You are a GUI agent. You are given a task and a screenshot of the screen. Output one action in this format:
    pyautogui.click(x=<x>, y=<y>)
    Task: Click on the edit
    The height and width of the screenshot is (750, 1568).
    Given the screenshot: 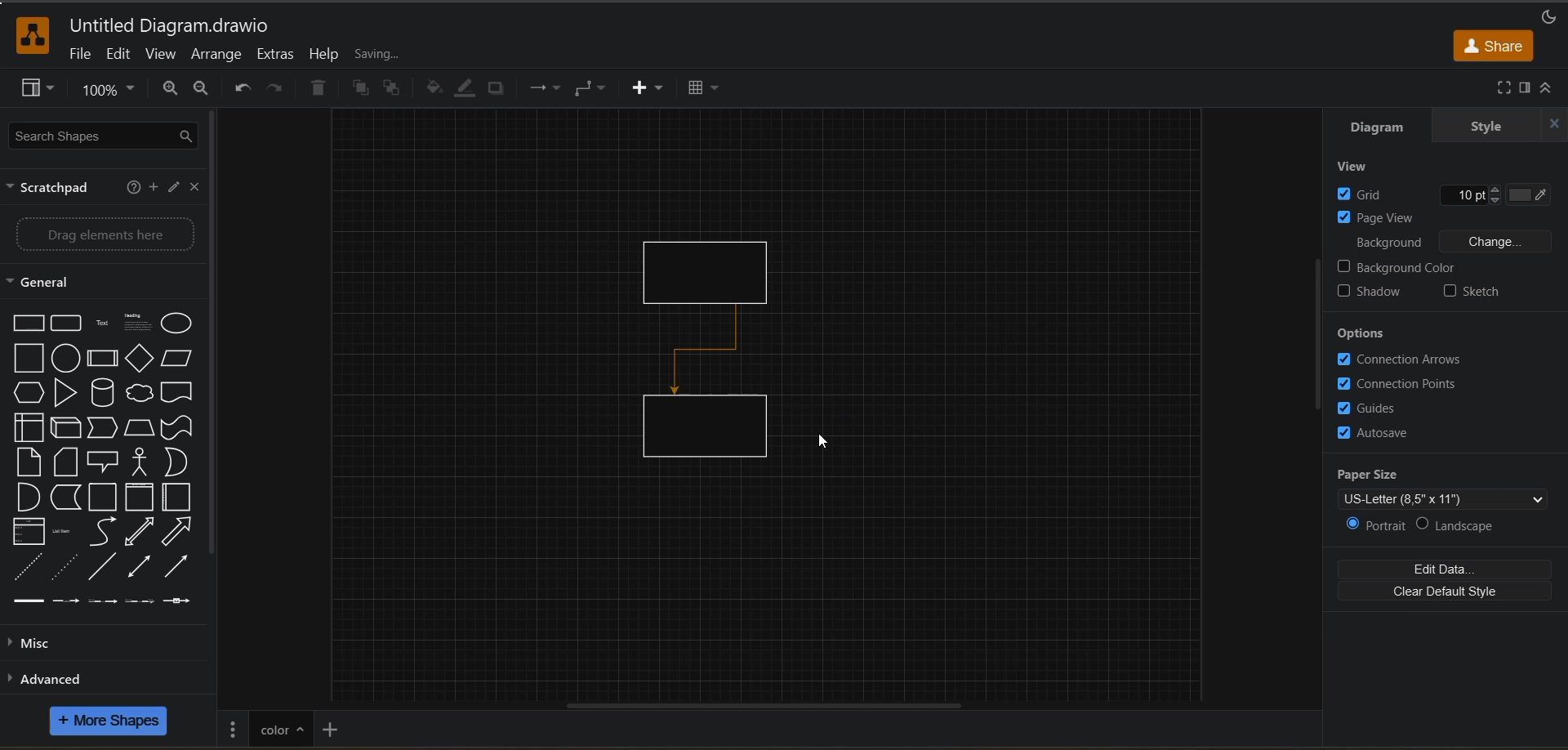 What is the action you would take?
    pyautogui.click(x=122, y=53)
    